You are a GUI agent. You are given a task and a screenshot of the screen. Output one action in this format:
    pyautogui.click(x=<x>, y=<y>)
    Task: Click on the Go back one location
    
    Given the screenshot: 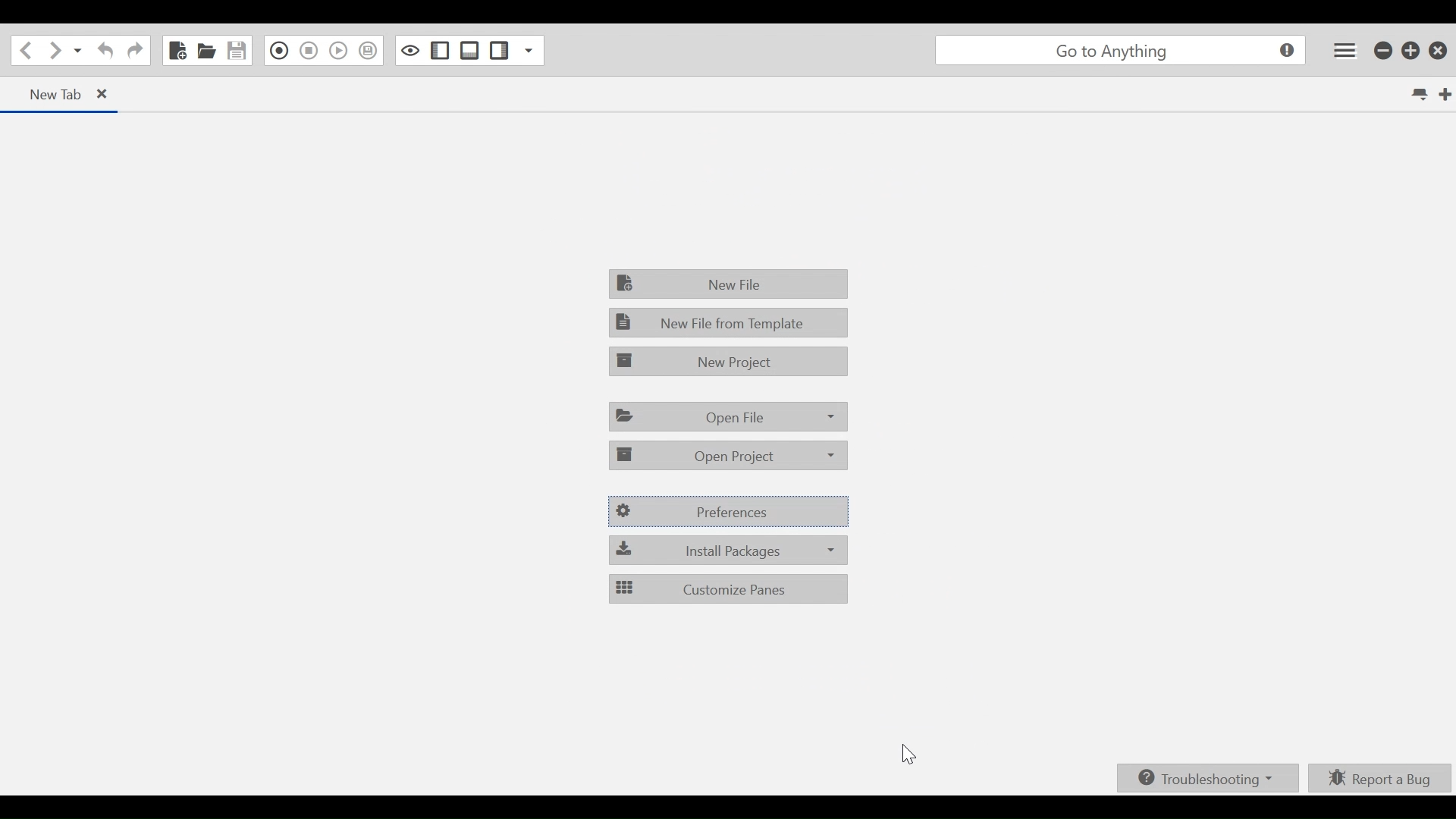 What is the action you would take?
    pyautogui.click(x=24, y=51)
    